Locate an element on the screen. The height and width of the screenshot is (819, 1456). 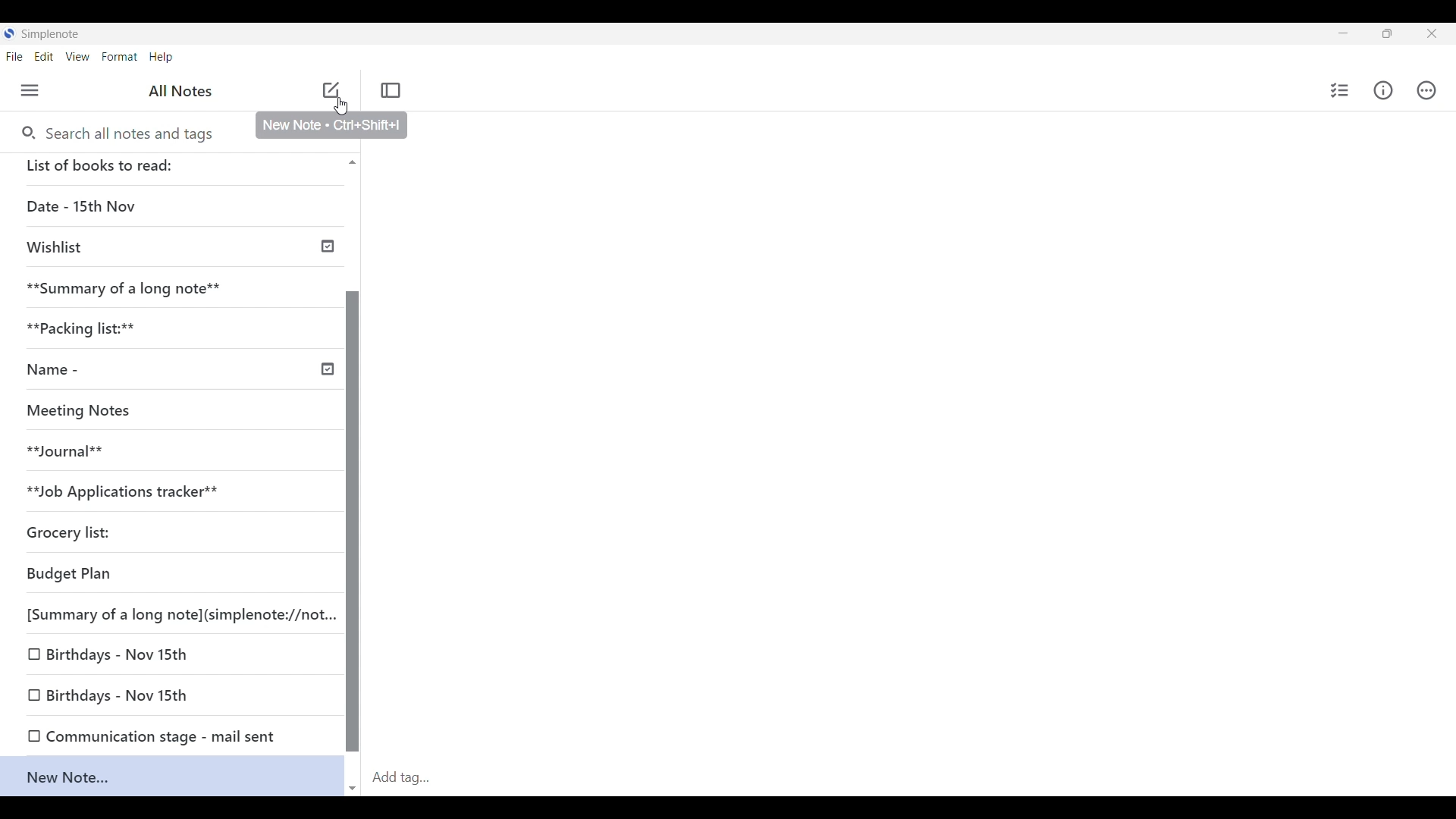
list of books to read is located at coordinates (102, 165).